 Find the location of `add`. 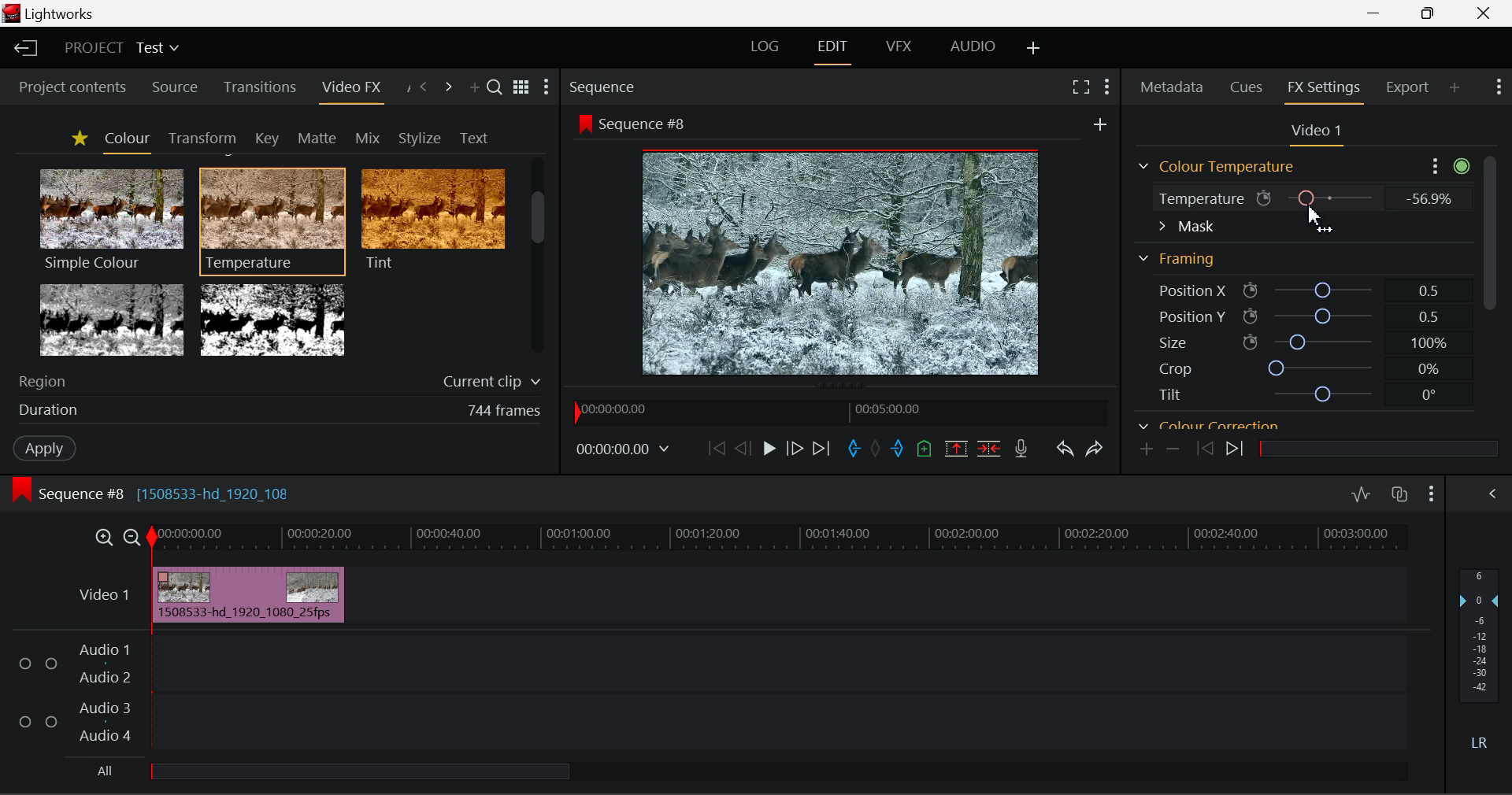

add is located at coordinates (1099, 124).